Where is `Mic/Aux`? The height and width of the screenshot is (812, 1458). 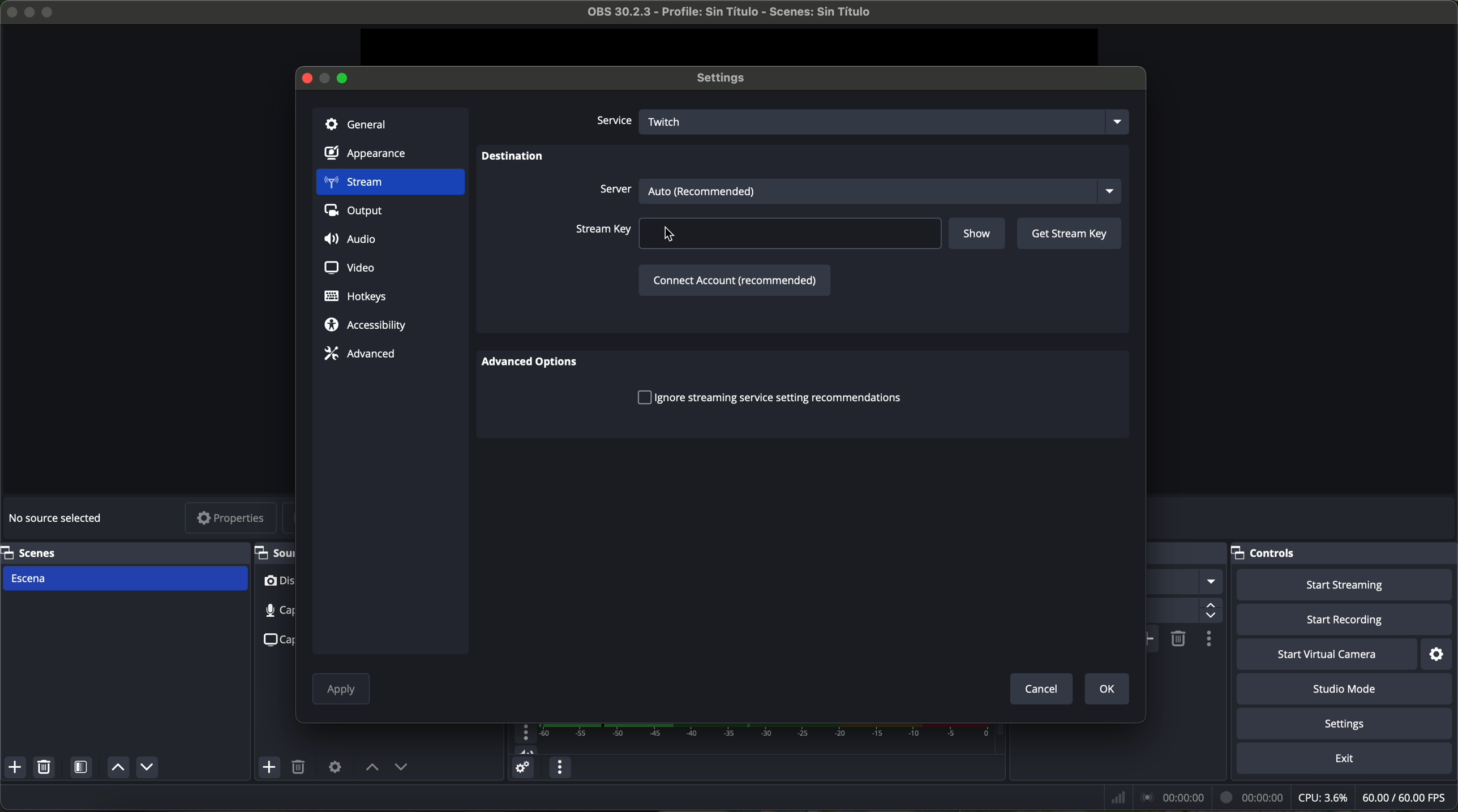
Mic/Aux is located at coordinates (748, 739).